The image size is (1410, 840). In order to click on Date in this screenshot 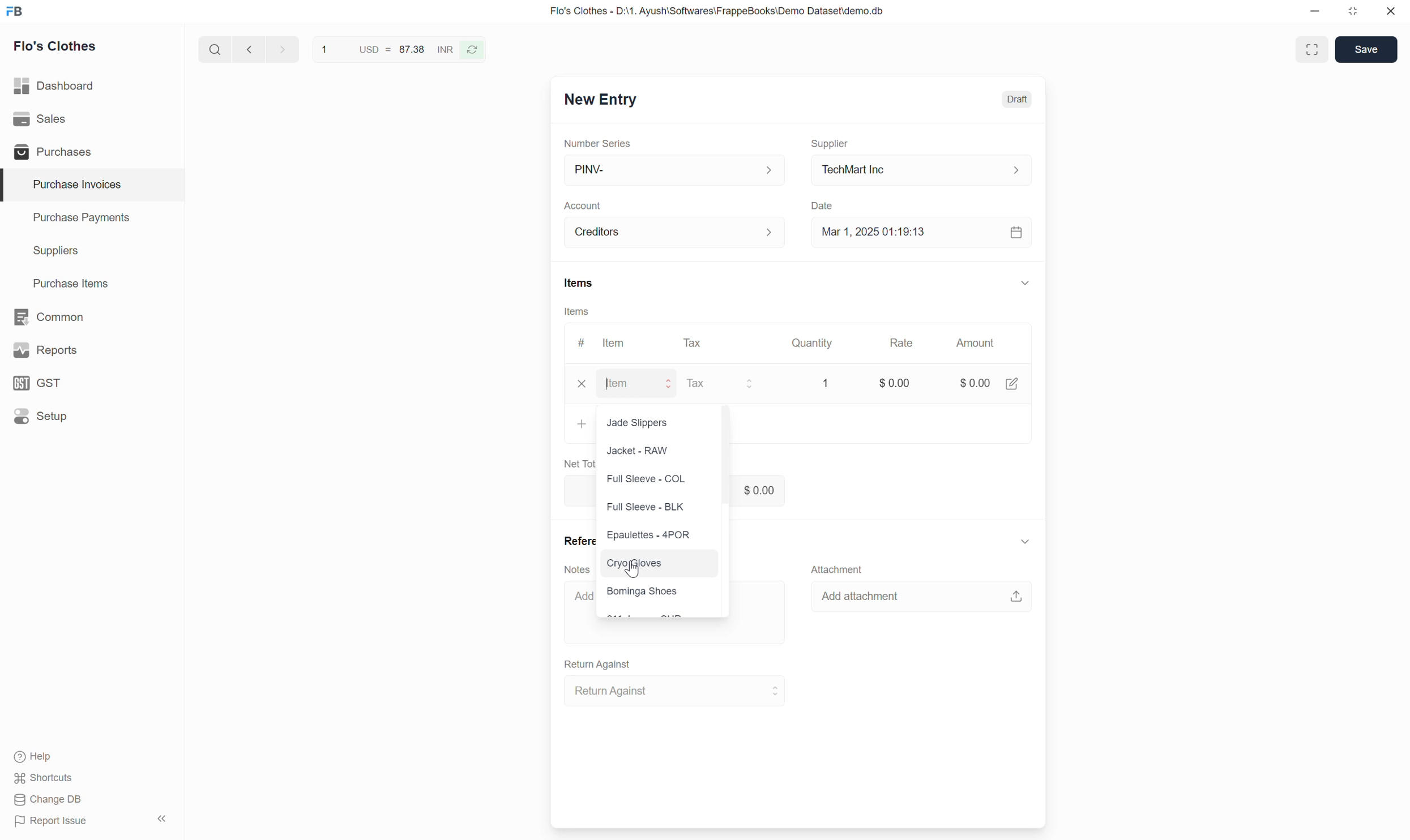, I will do `click(824, 203)`.